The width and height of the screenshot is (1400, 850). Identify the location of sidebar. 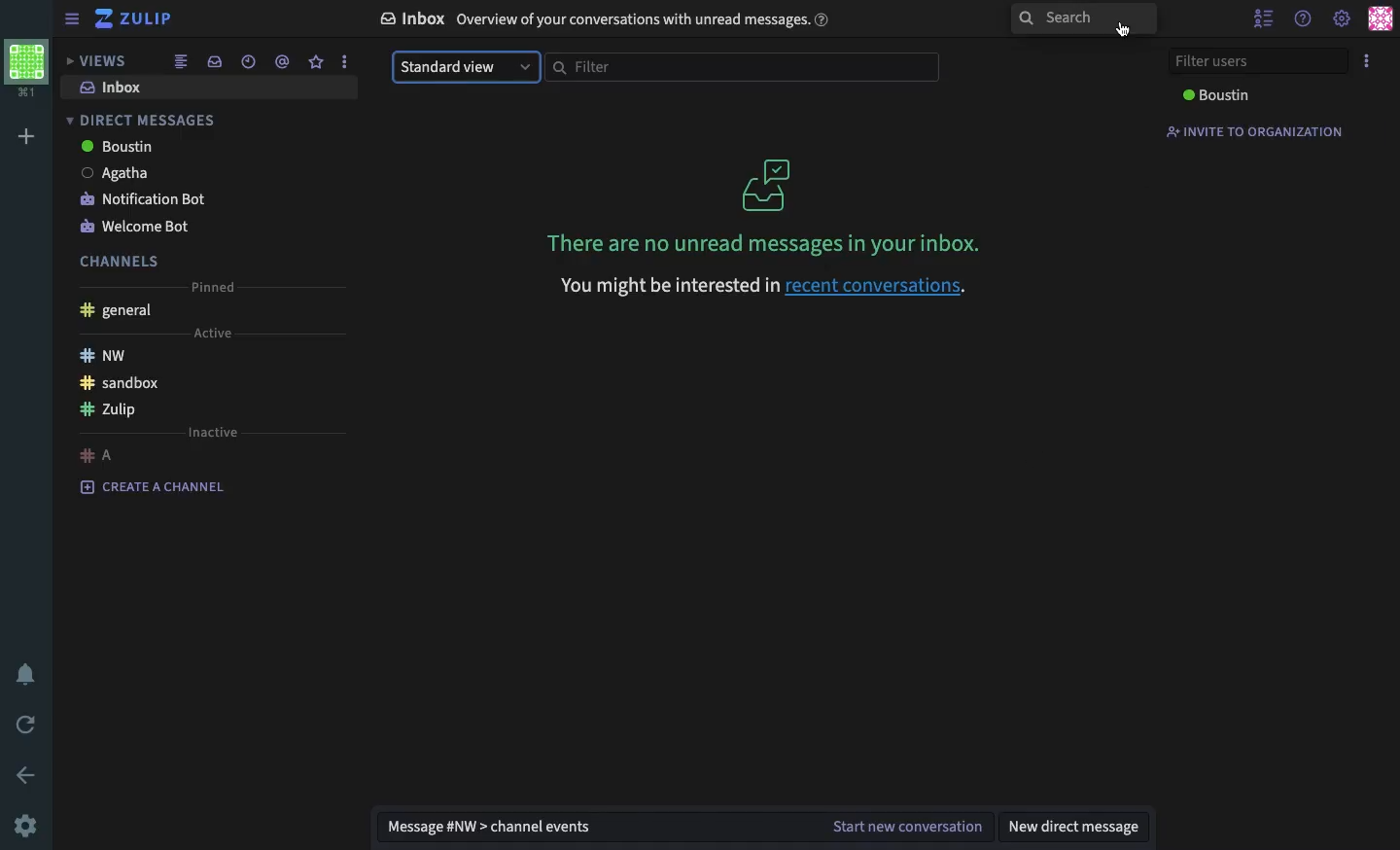
(71, 19).